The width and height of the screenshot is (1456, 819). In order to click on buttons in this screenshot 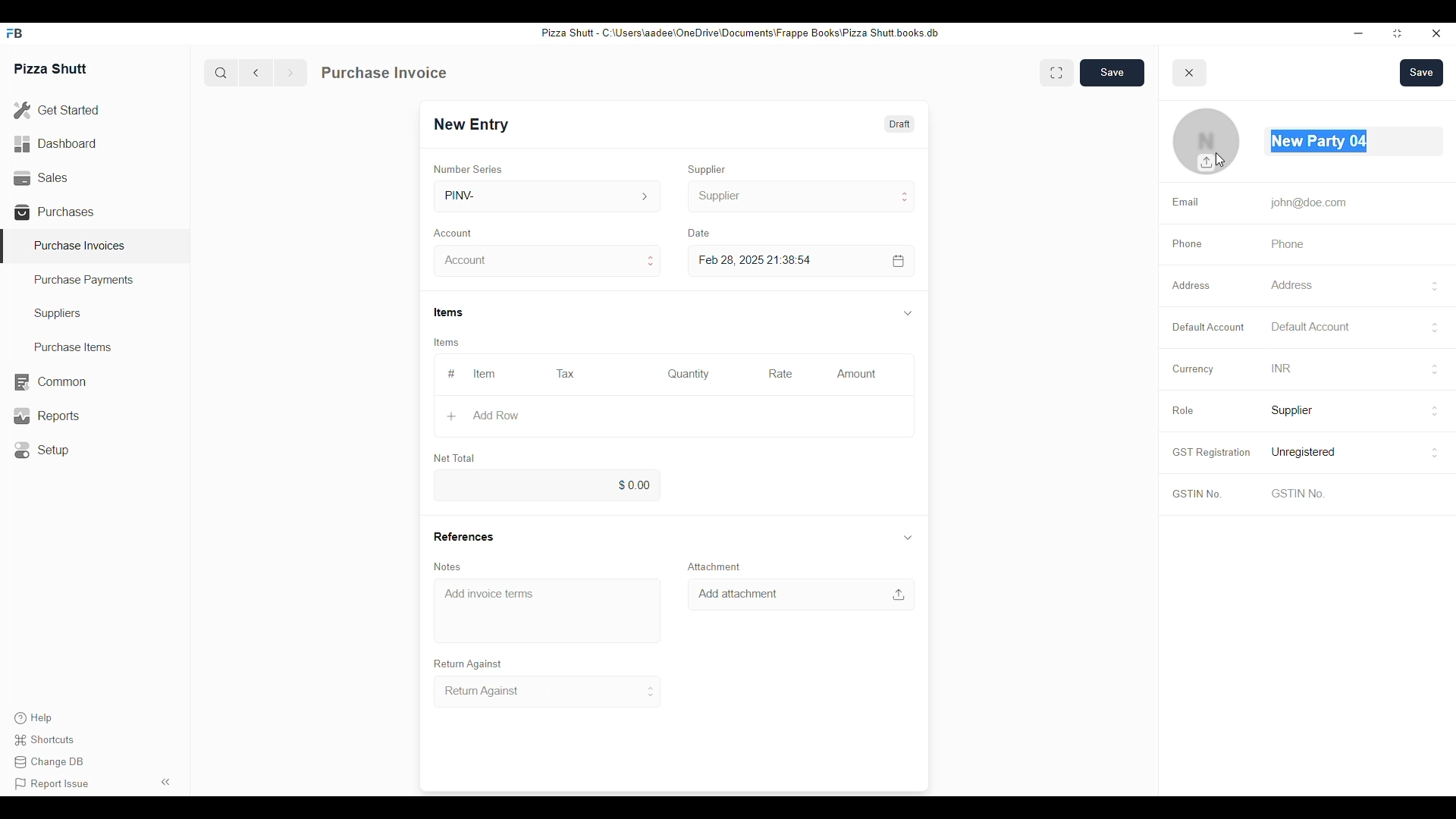, I will do `click(1437, 369)`.